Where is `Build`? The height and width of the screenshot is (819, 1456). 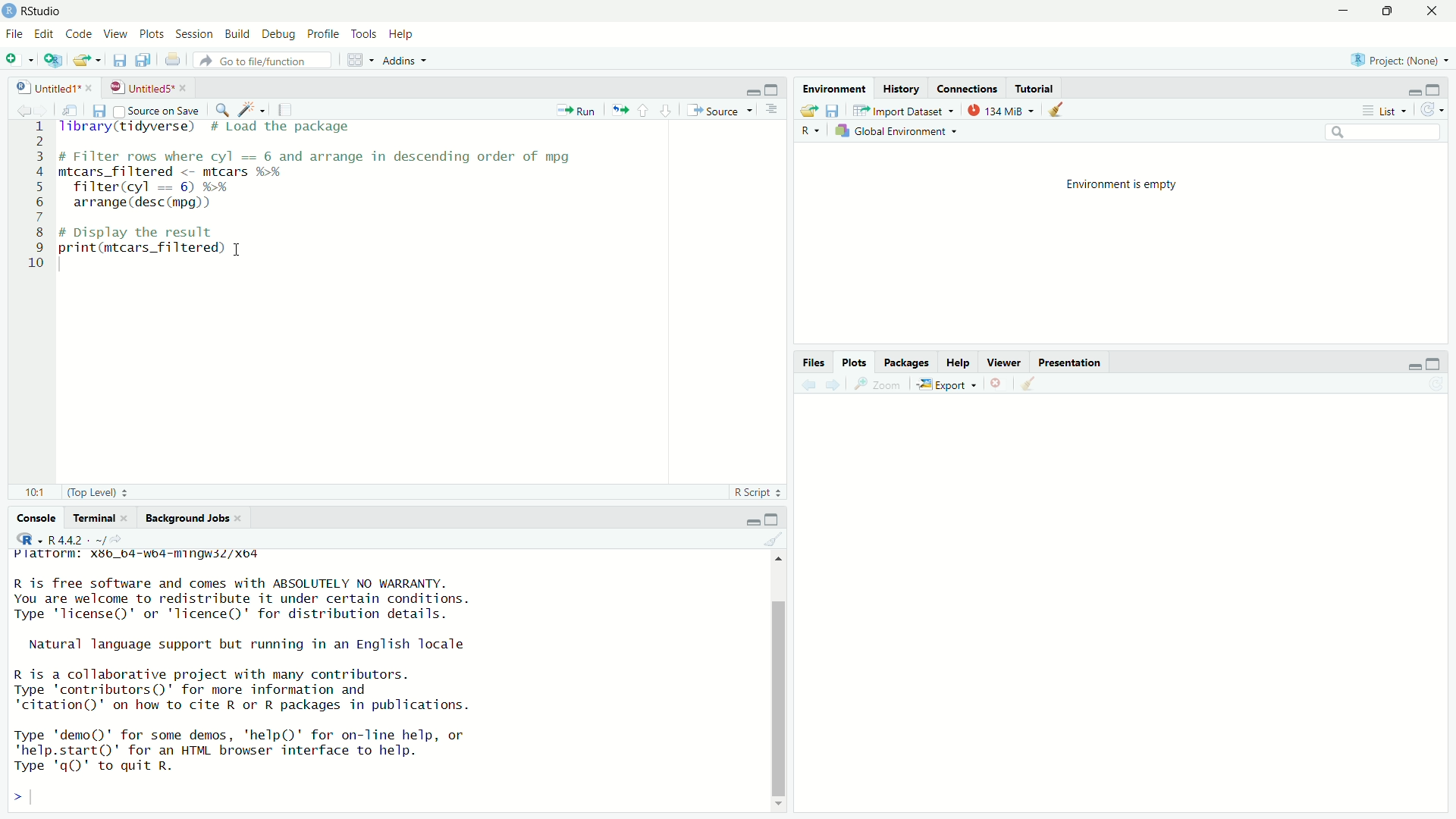
Build is located at coordinates (237, 33).